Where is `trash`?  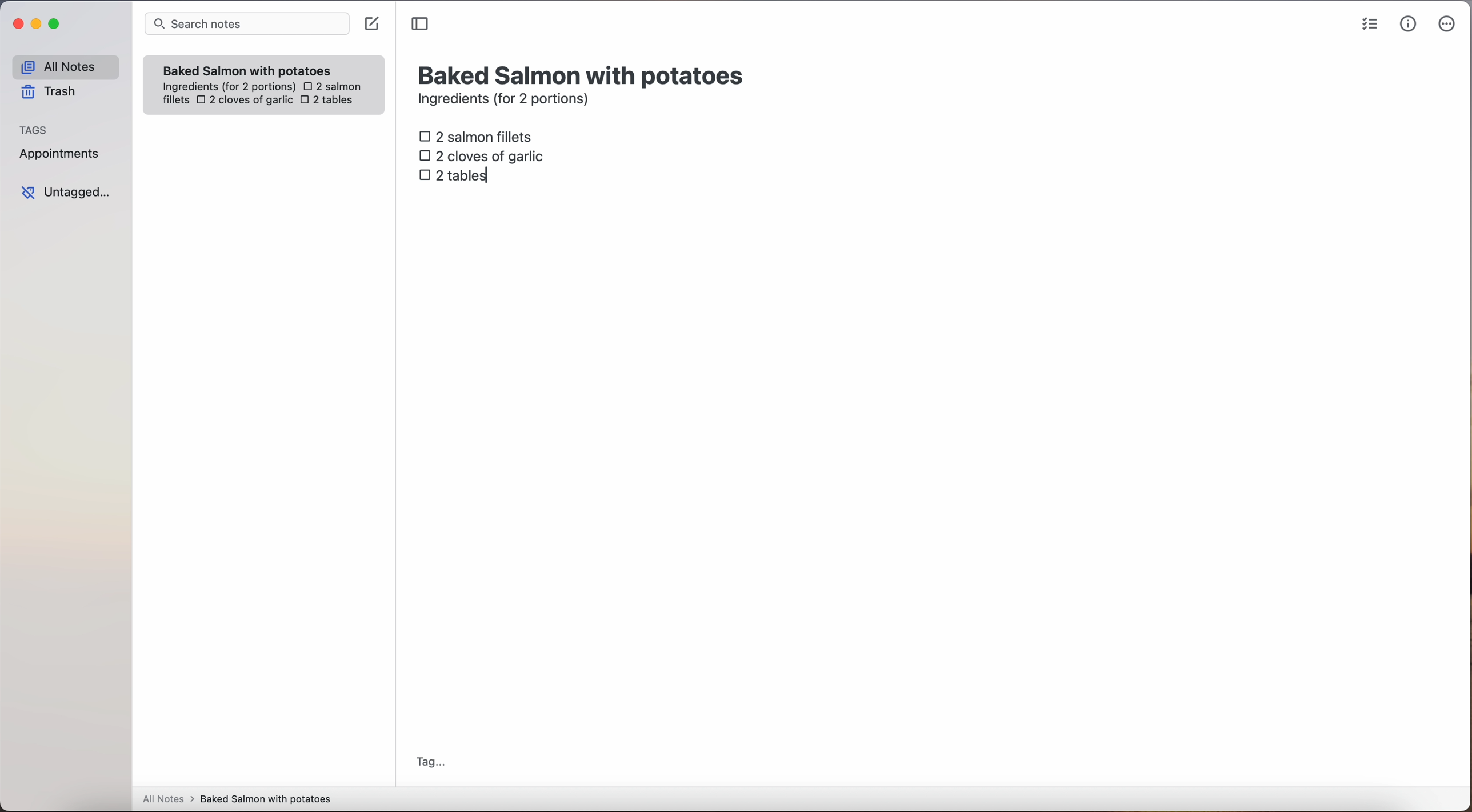 trash is located at coordinates (53, 92).